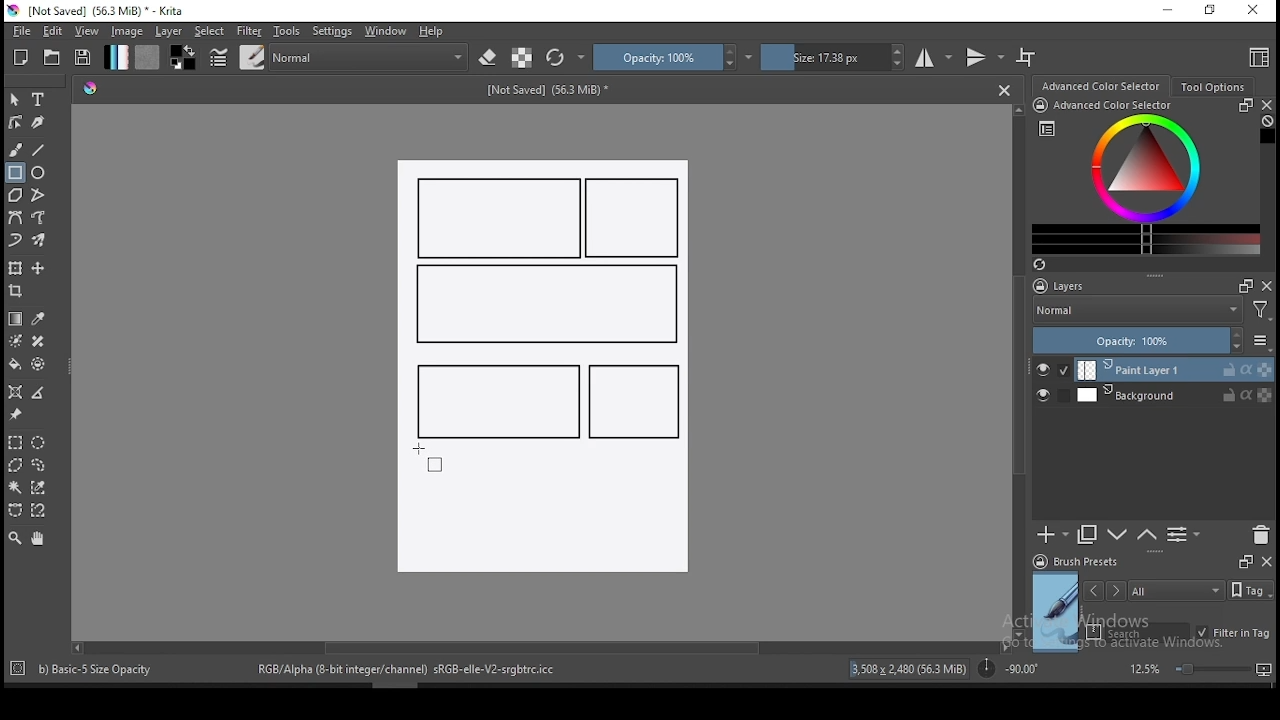 The image size is (1280, 720). Describe the element at coordinates (126, 31) in the screenshot. I see `image` at that location.